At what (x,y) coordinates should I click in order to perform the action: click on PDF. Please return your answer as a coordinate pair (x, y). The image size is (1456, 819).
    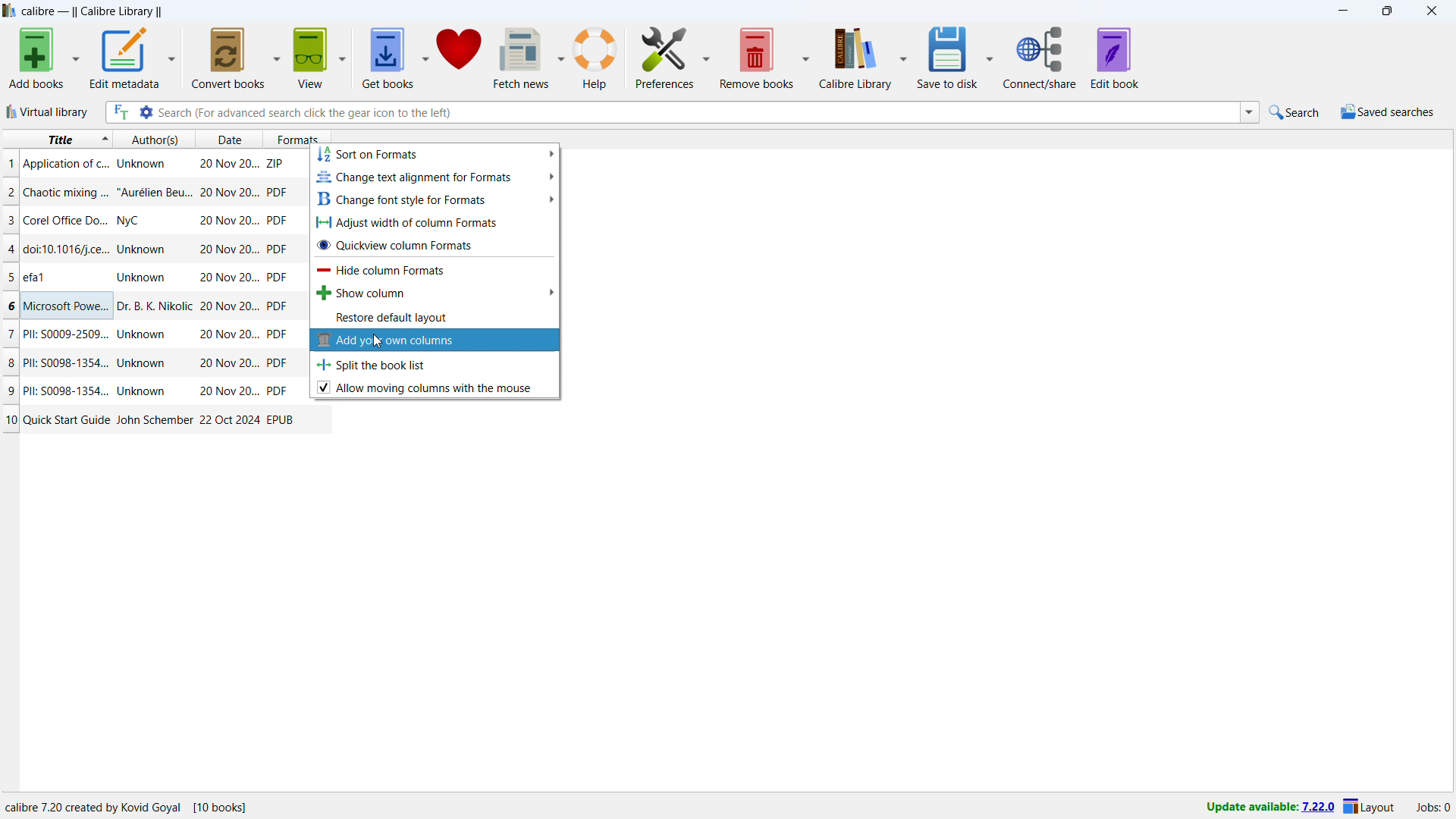
    Looking at the image, I should click on (278, 249).